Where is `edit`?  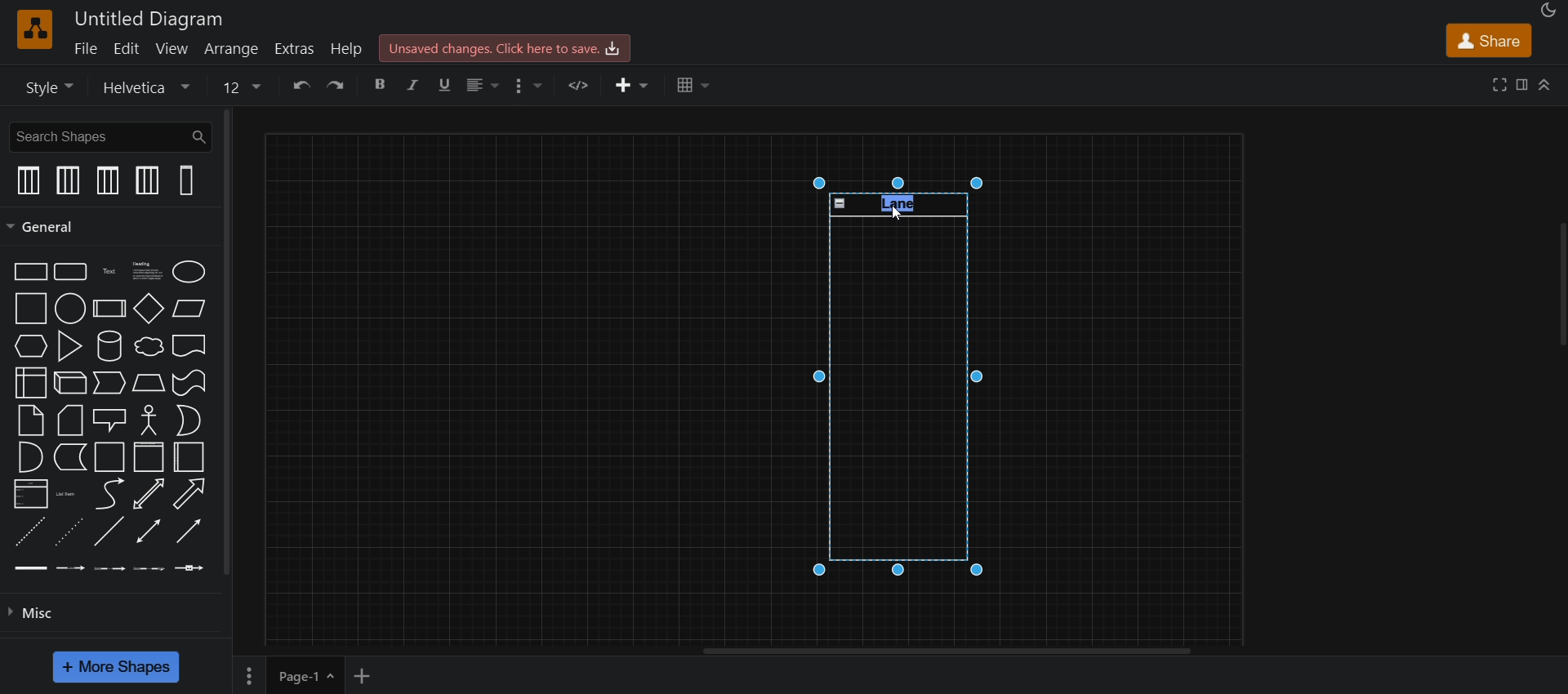
edit is located at coordinates (131, 49).